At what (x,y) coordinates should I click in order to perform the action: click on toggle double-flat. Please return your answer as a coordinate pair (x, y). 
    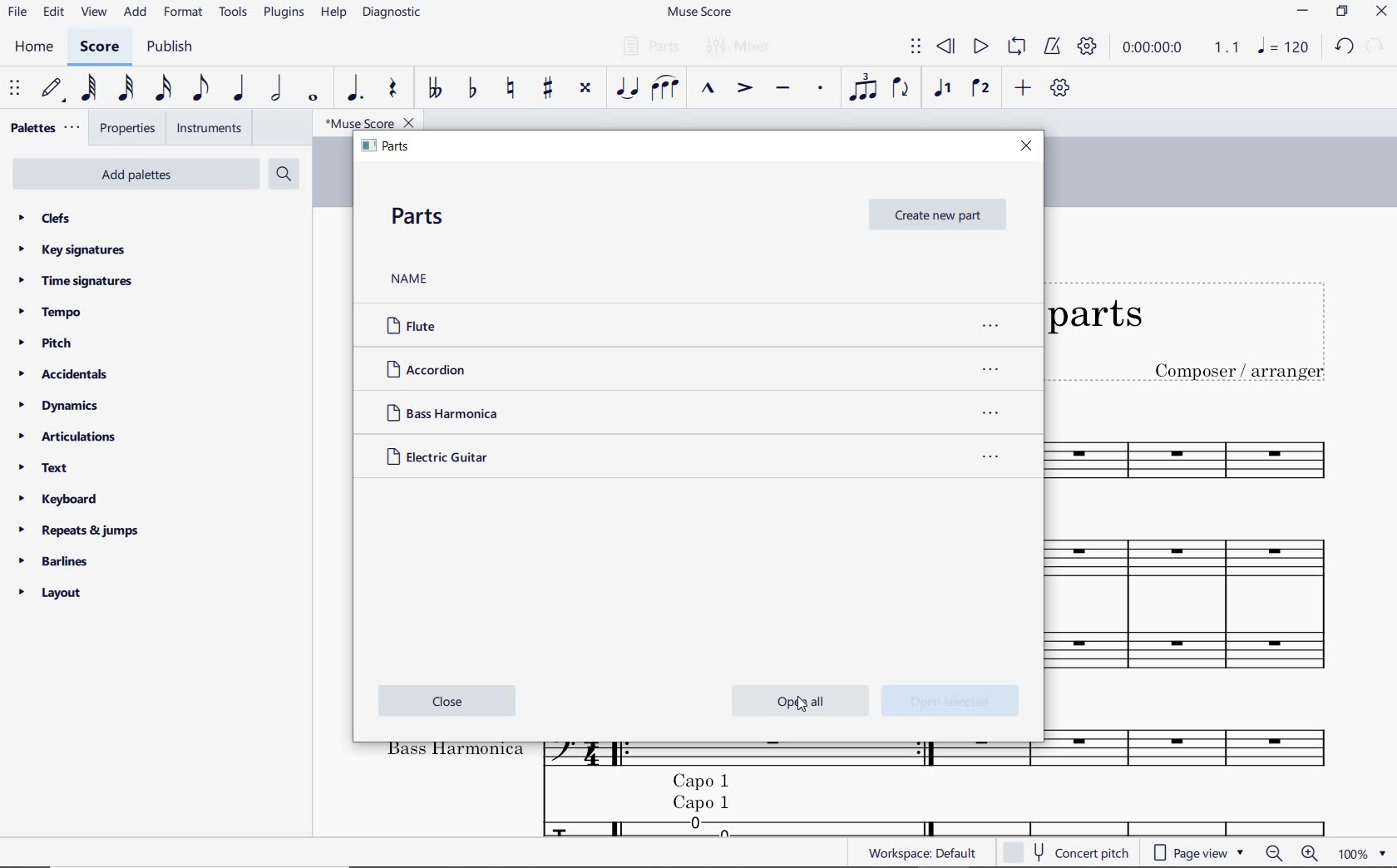
    Looking at the image, I should click on (434, 89).